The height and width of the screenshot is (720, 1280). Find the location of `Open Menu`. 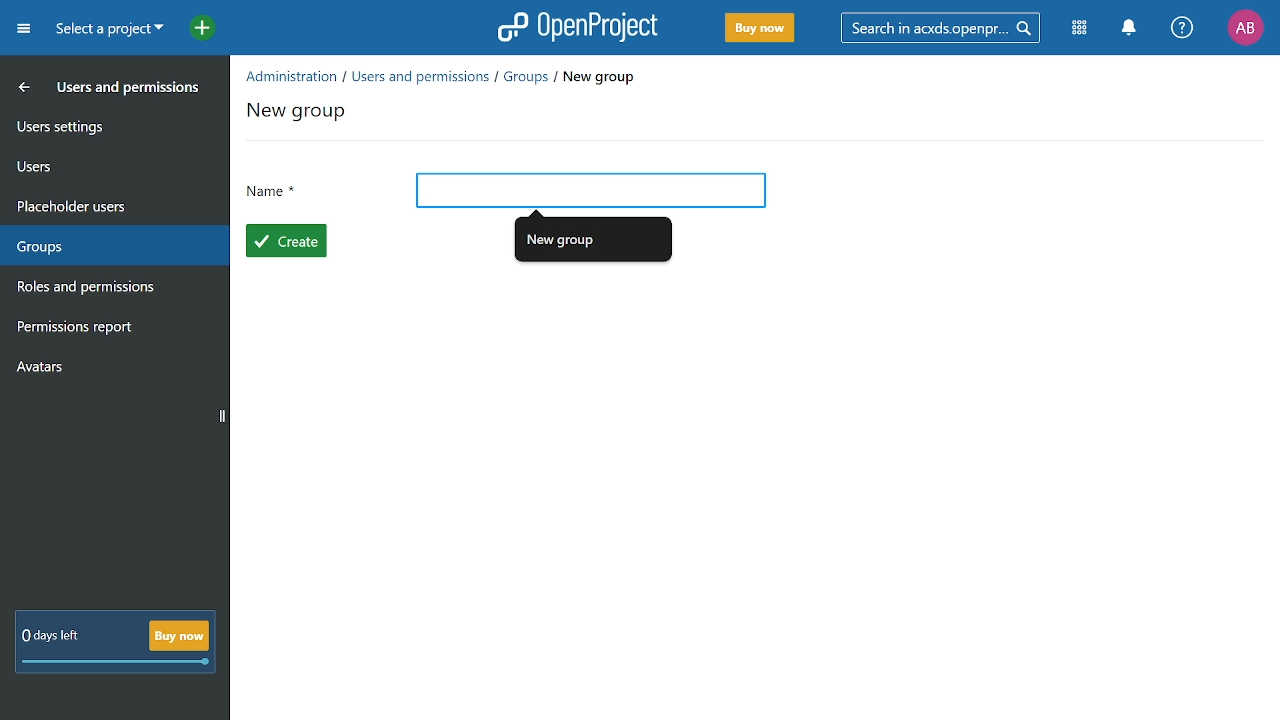

Open Menu is located at coordinates (27, 32).